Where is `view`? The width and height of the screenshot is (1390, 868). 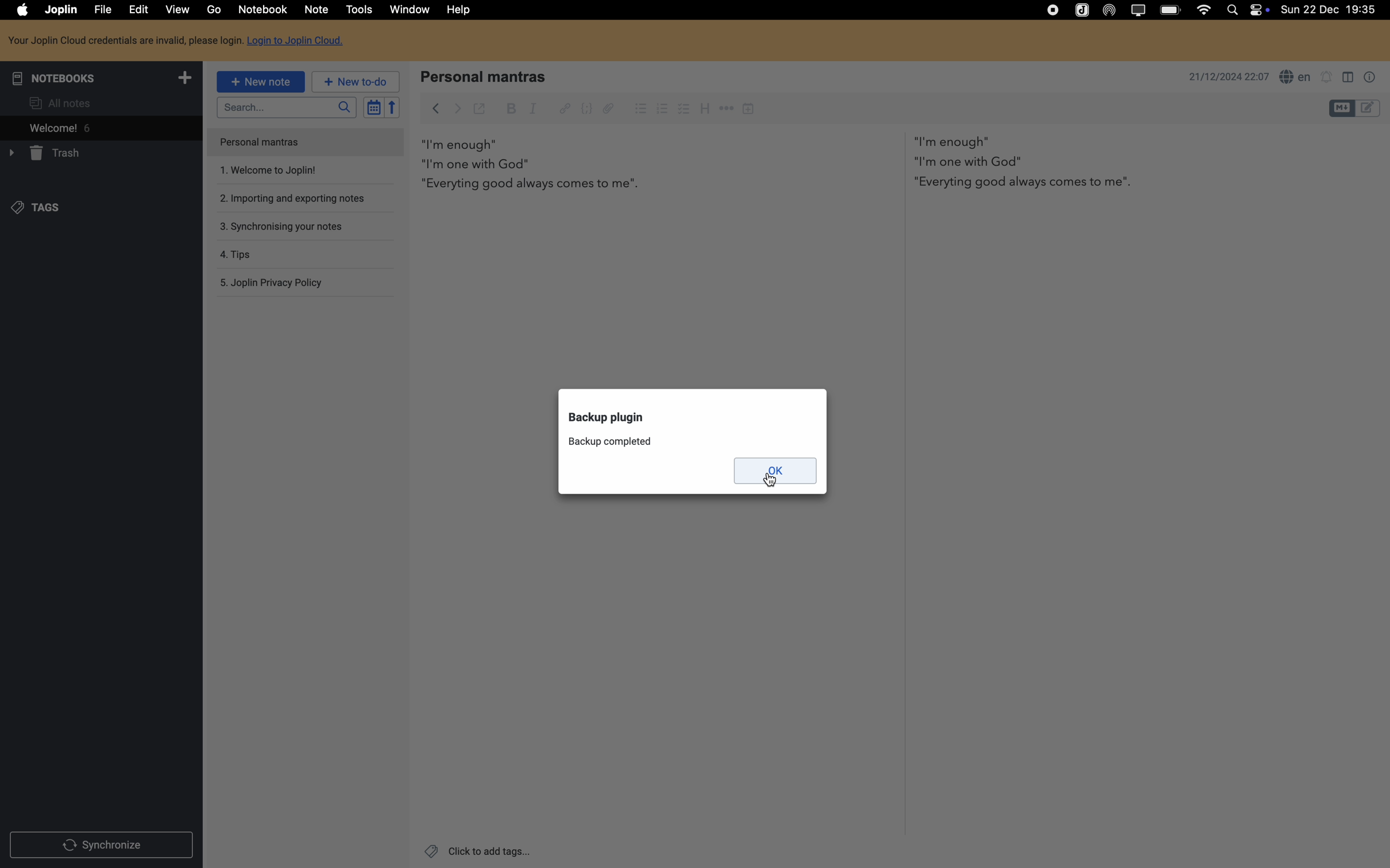 view is located at coordinates (179, 10).